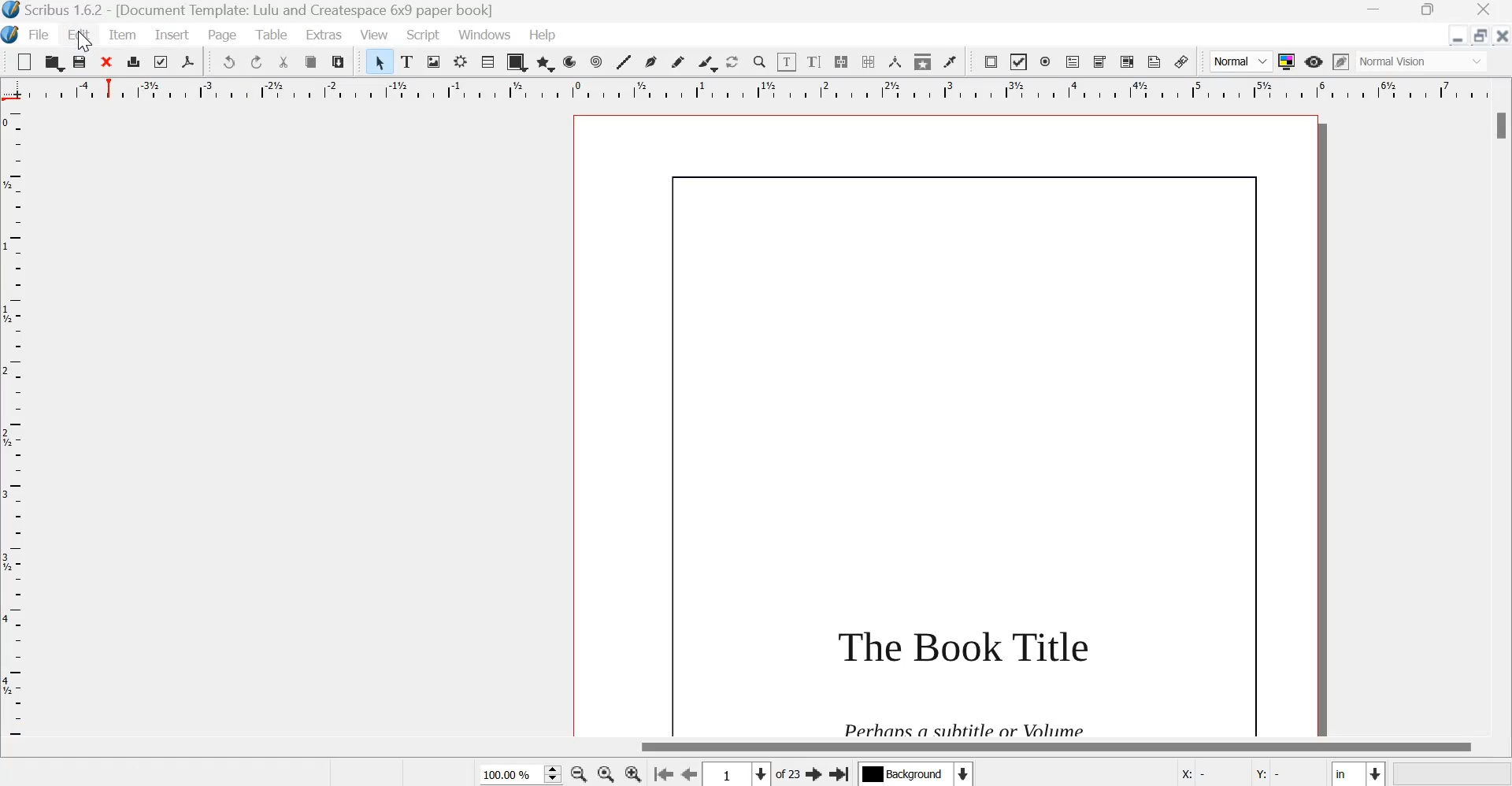  Describe the element at coordinates (172, 35) in the screenshot. I see `Insert` at that location.